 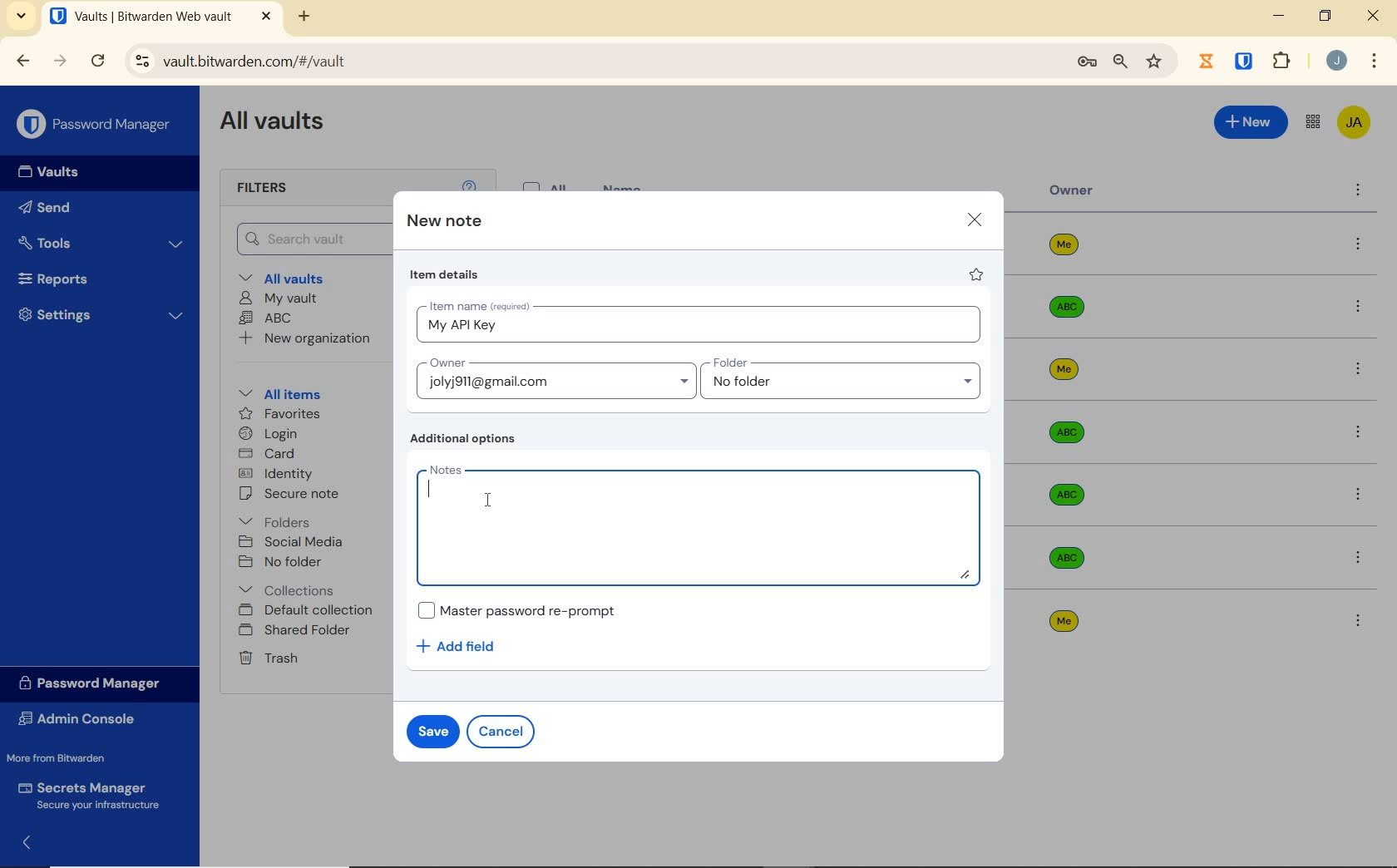 I want to click on Search Vault, so click(x=311, y=238).